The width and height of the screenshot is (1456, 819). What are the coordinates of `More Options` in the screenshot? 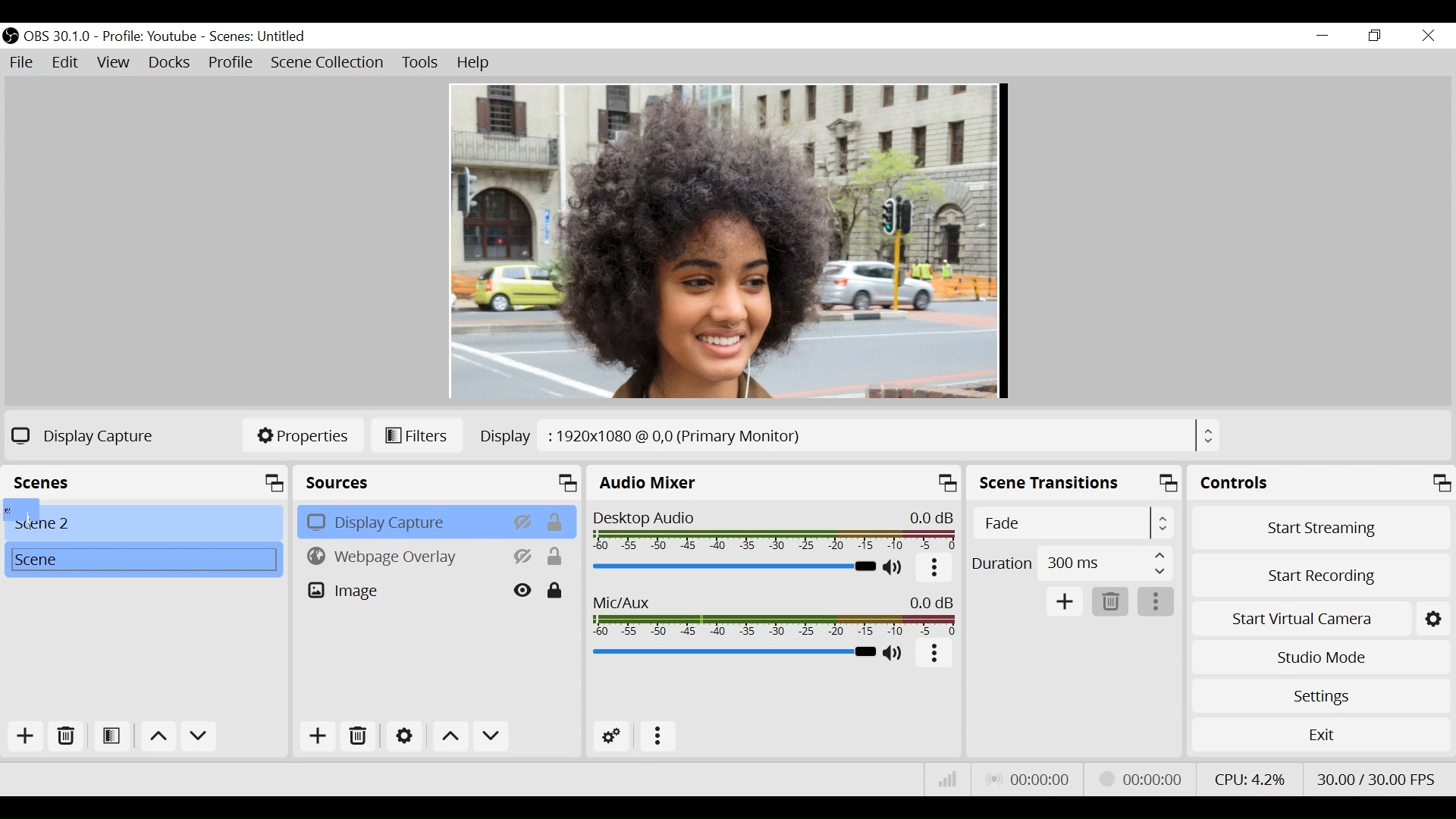 It's located at (935, 570).